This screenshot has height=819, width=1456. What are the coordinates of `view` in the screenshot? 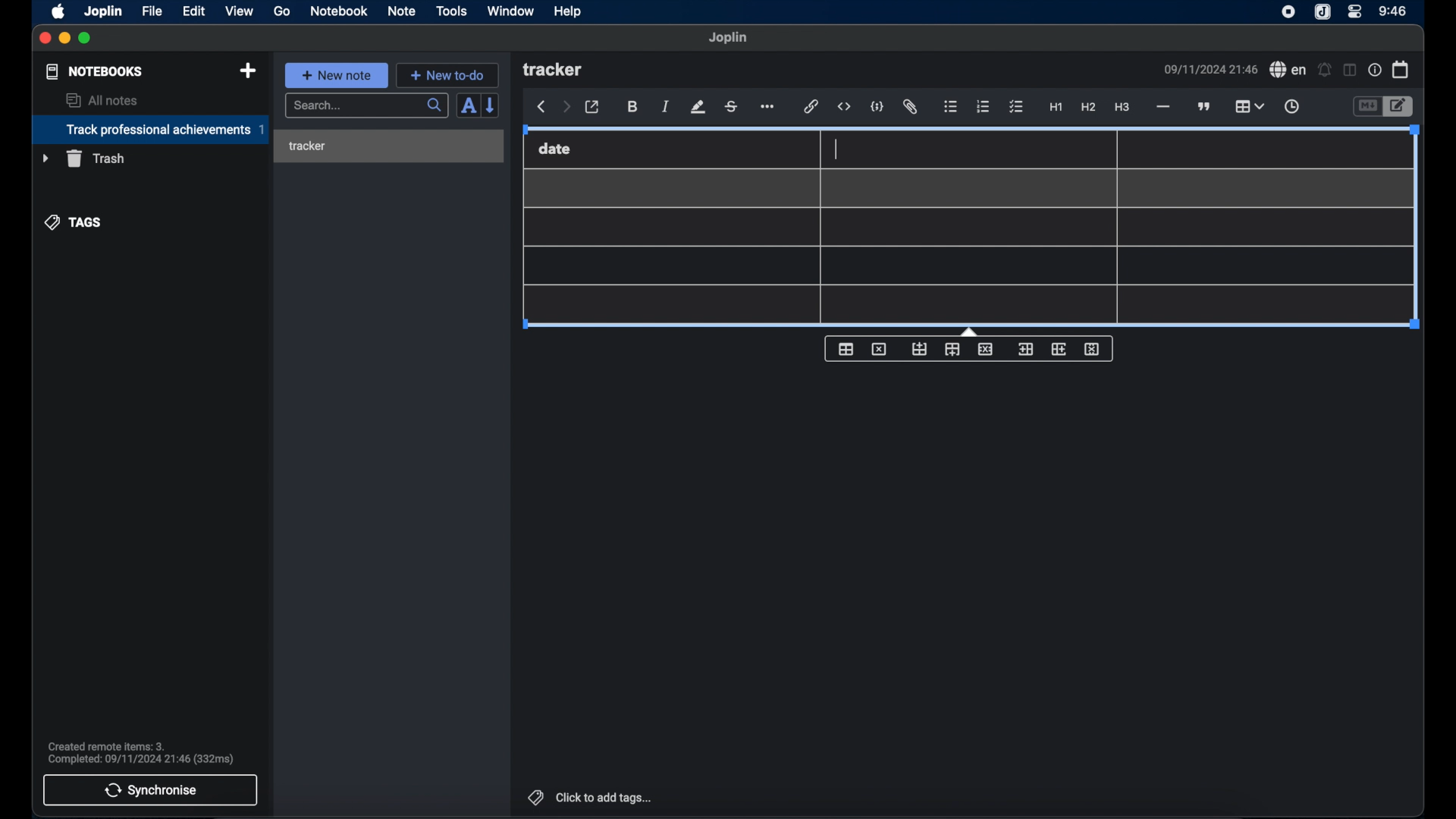 It's located at (239, 11).